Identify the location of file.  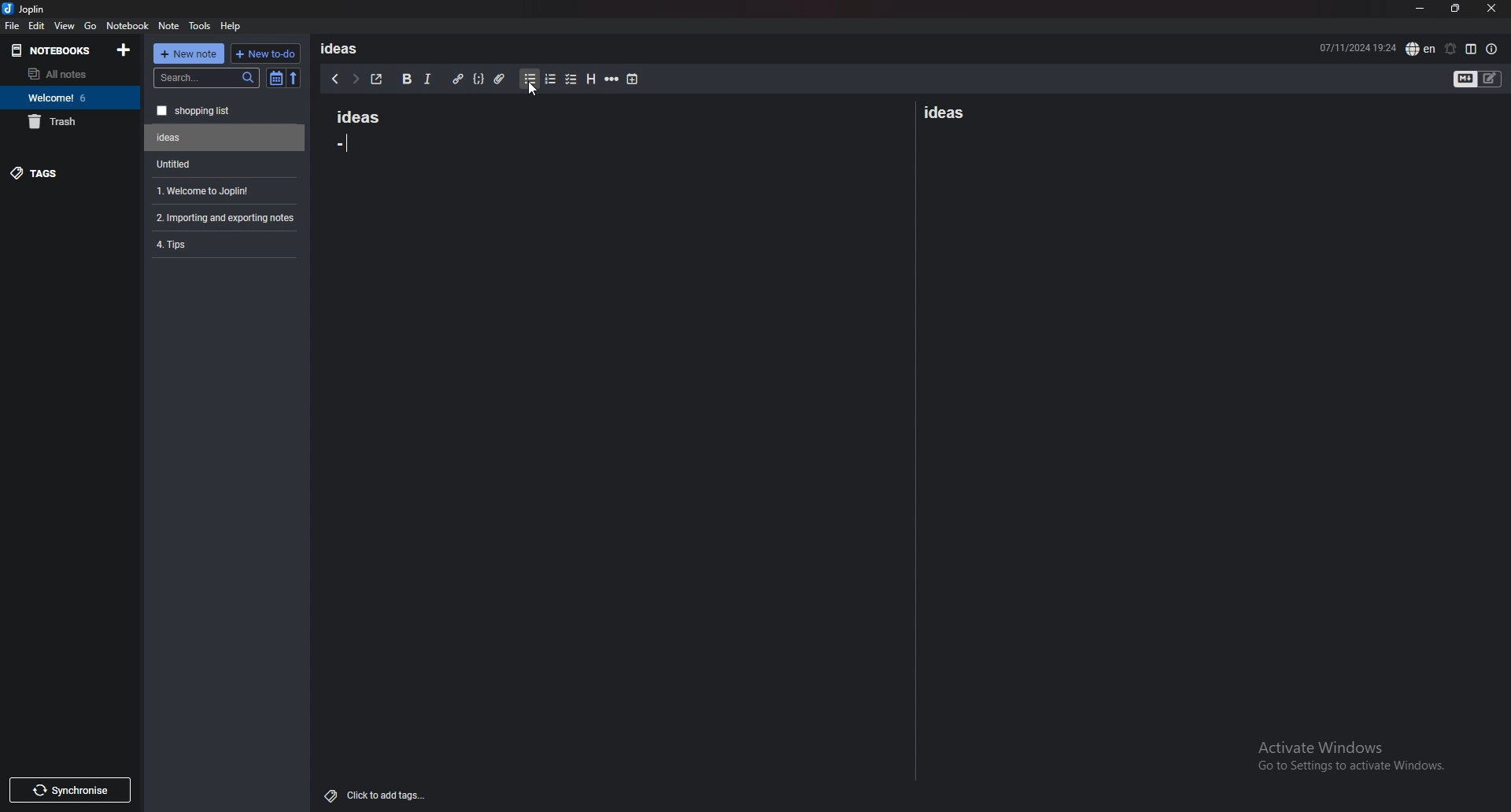
(12, 25).